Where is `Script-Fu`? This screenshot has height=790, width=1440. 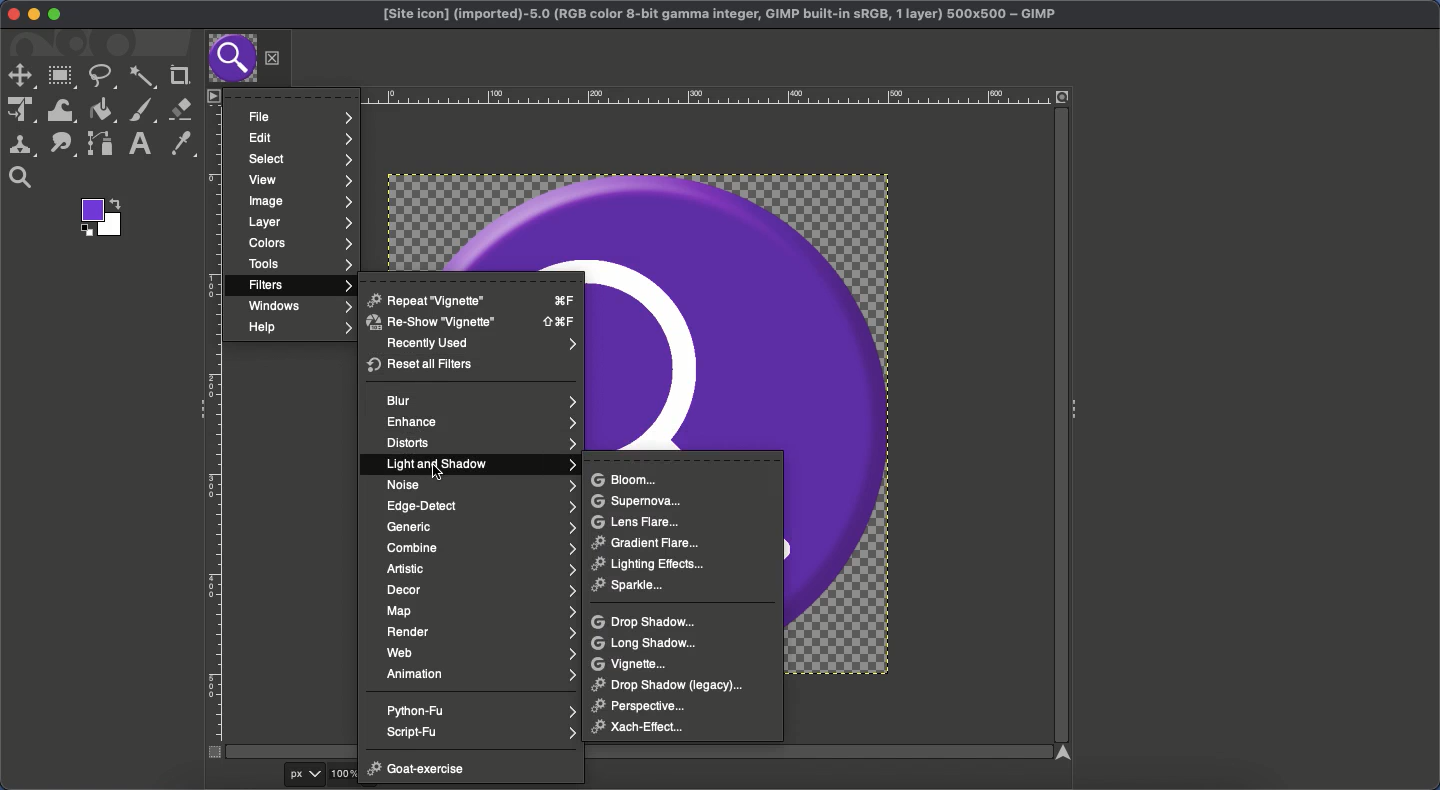 Script-Fu is located at coordinates (482, 731).